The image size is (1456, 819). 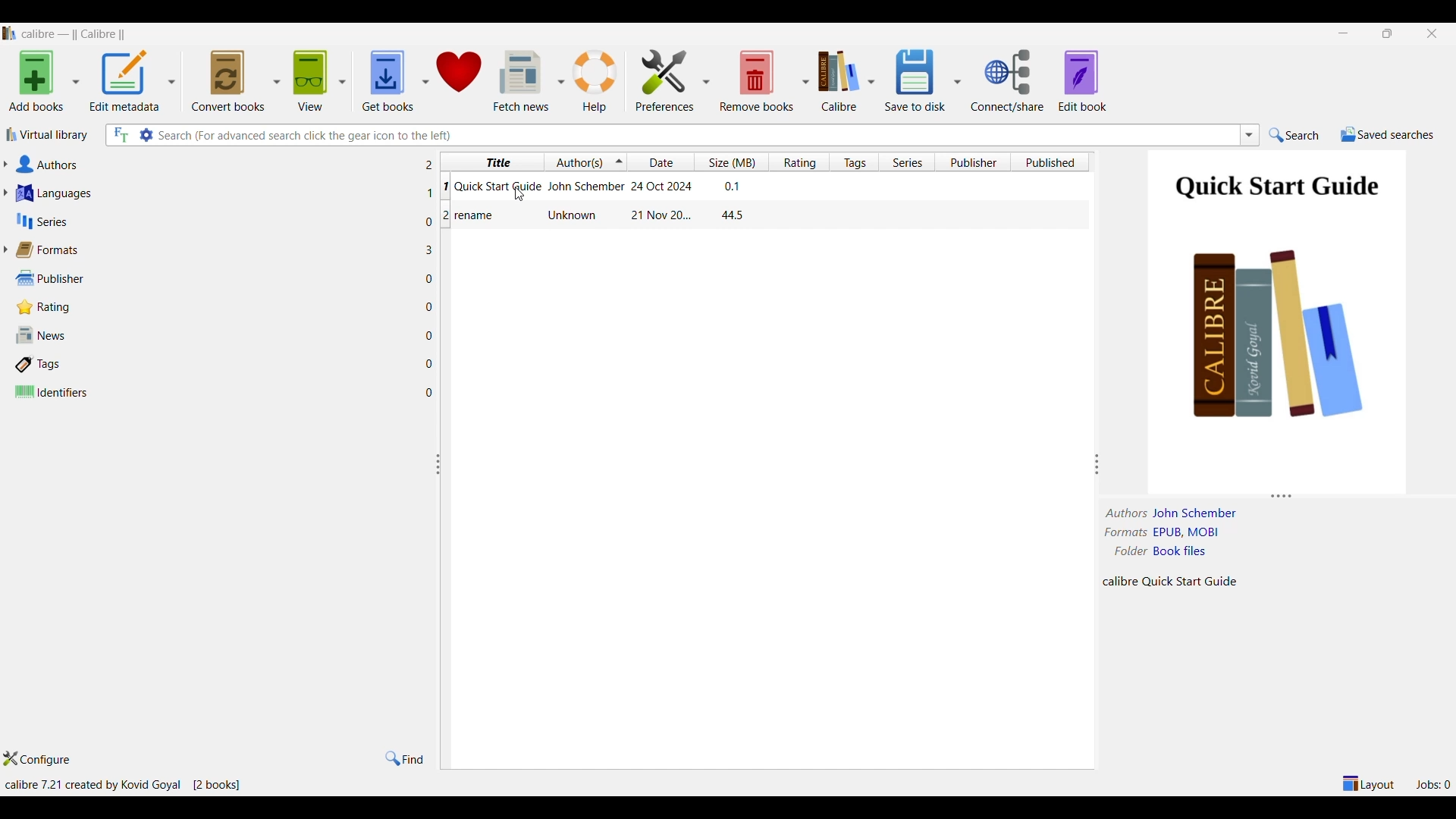 I want to click on Close interface, so click(x=1432, y=34).